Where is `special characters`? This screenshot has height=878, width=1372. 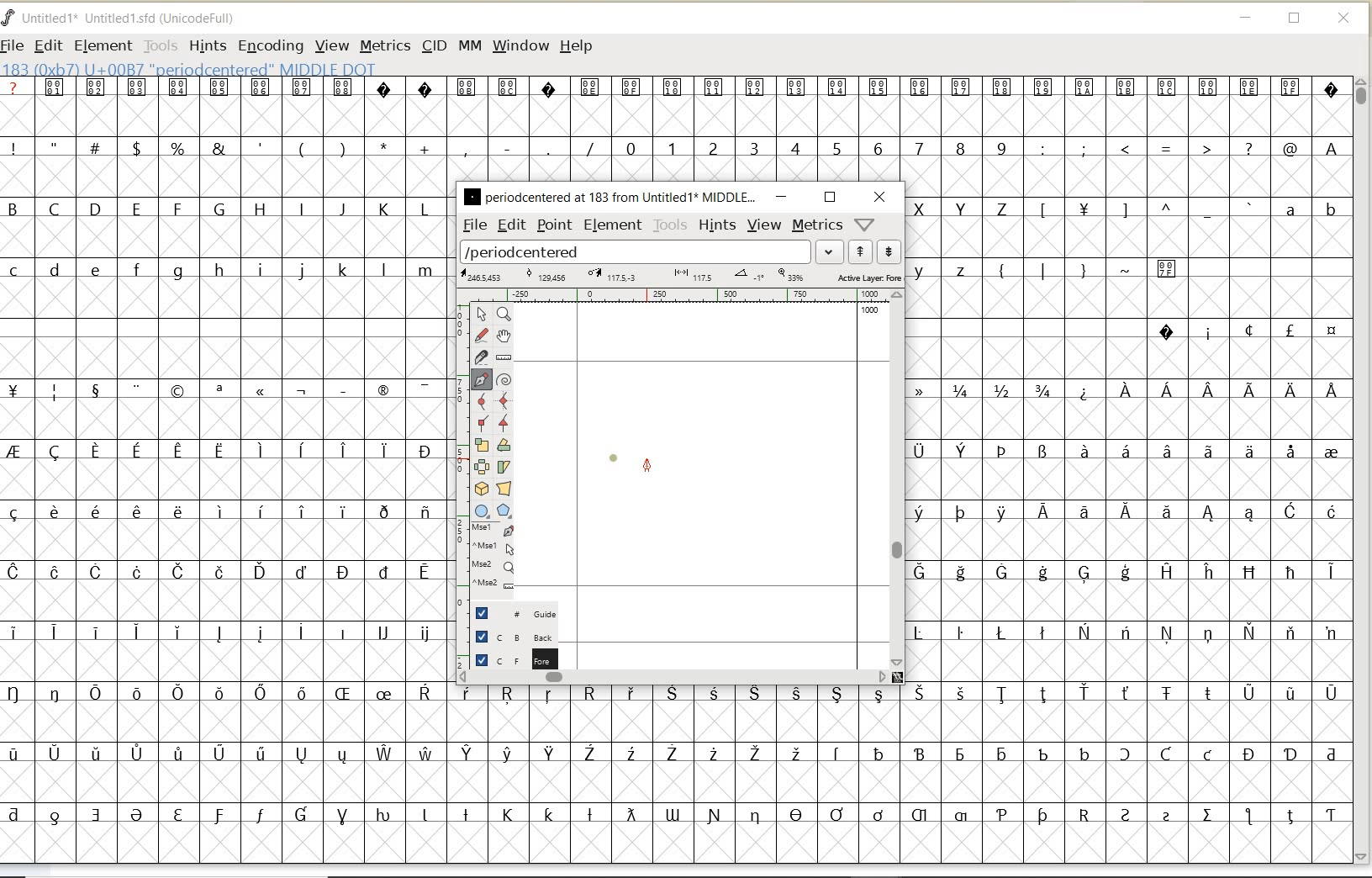
special characters is located at coordinates (1108, 276).